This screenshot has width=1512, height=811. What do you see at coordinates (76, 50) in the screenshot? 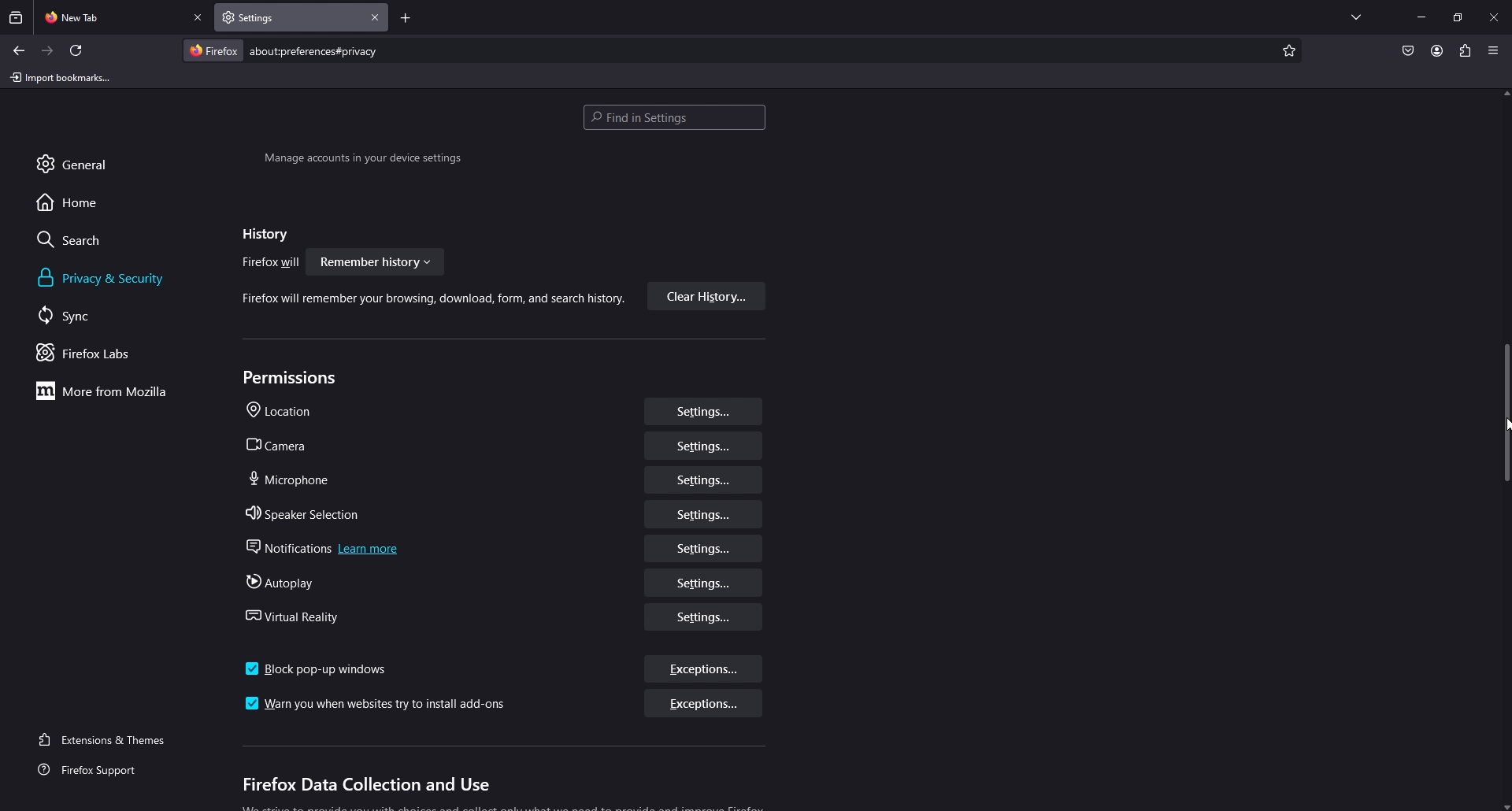
I see `refresh` at bounding box center [76, 50].